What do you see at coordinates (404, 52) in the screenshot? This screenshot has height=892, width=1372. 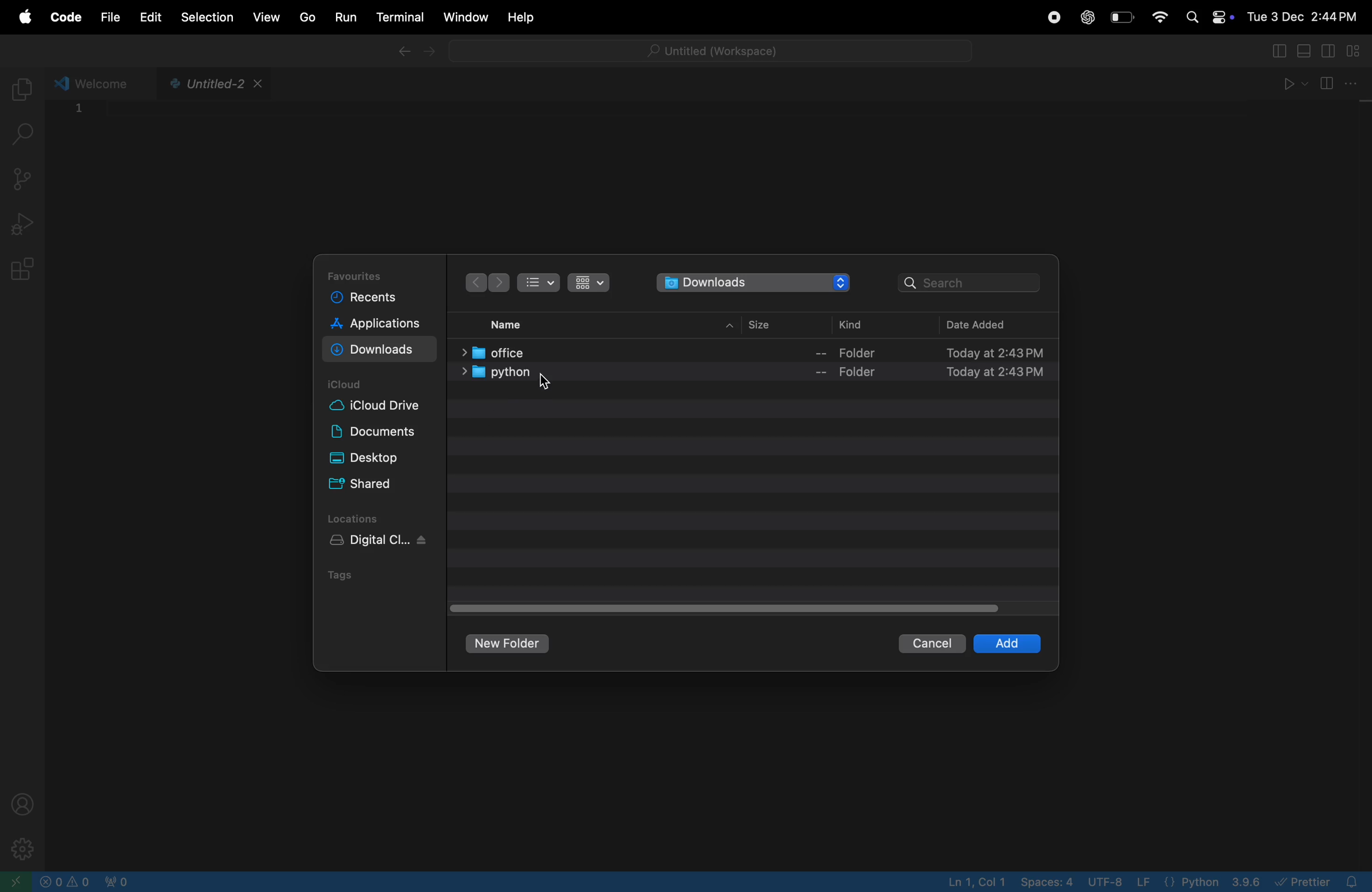 I see `backward` at bounding box center [404, 52].